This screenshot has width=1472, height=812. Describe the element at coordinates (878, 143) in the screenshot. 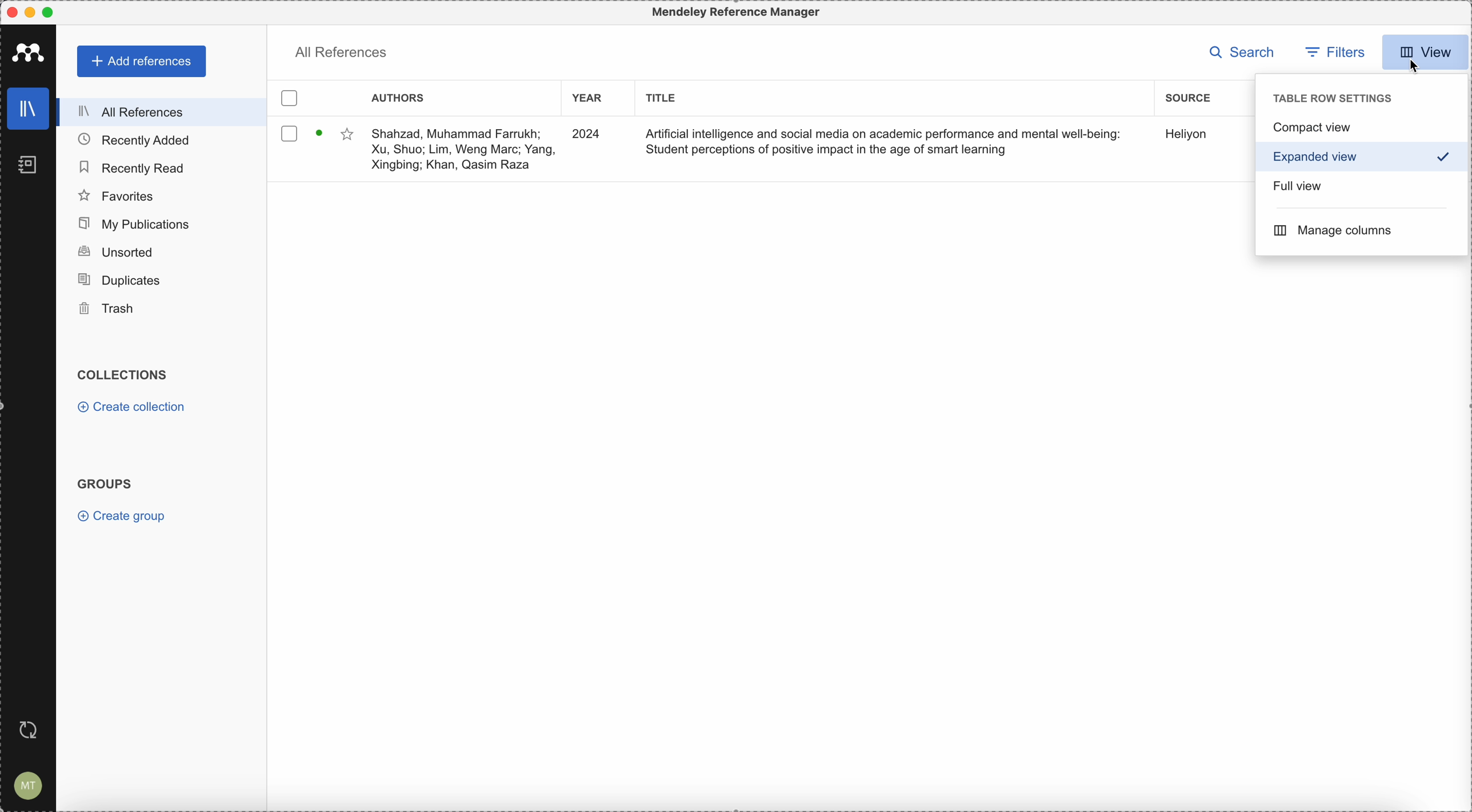

I see `Artificial intelligence and social media on academic performance and mental well-being:
Student perceptions of positive impact in the age of smart learning` at that location.